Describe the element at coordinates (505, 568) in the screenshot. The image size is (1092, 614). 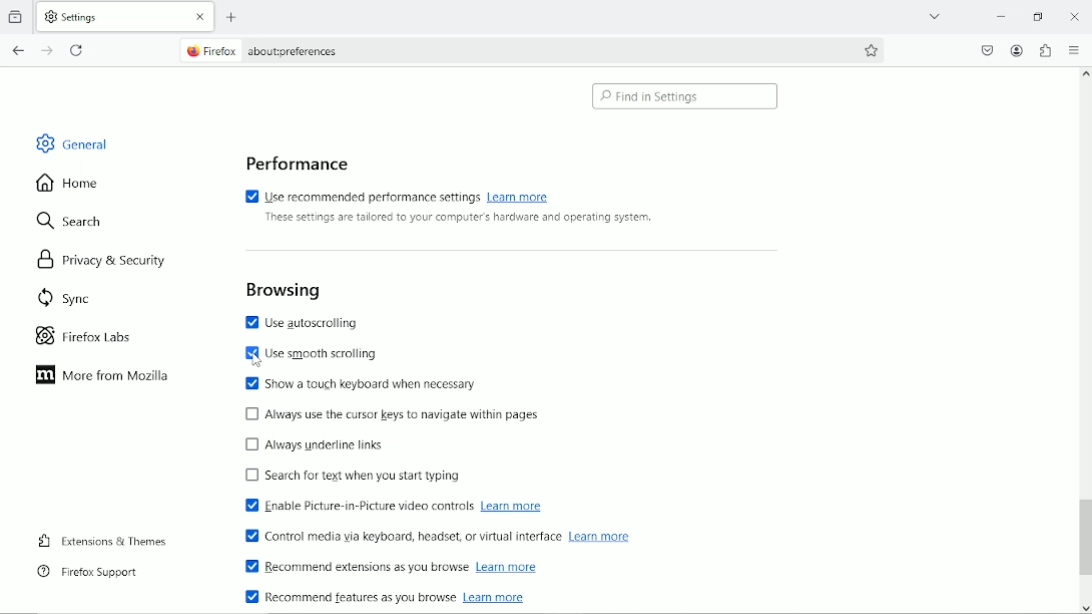
I see `Learn more` at that location.